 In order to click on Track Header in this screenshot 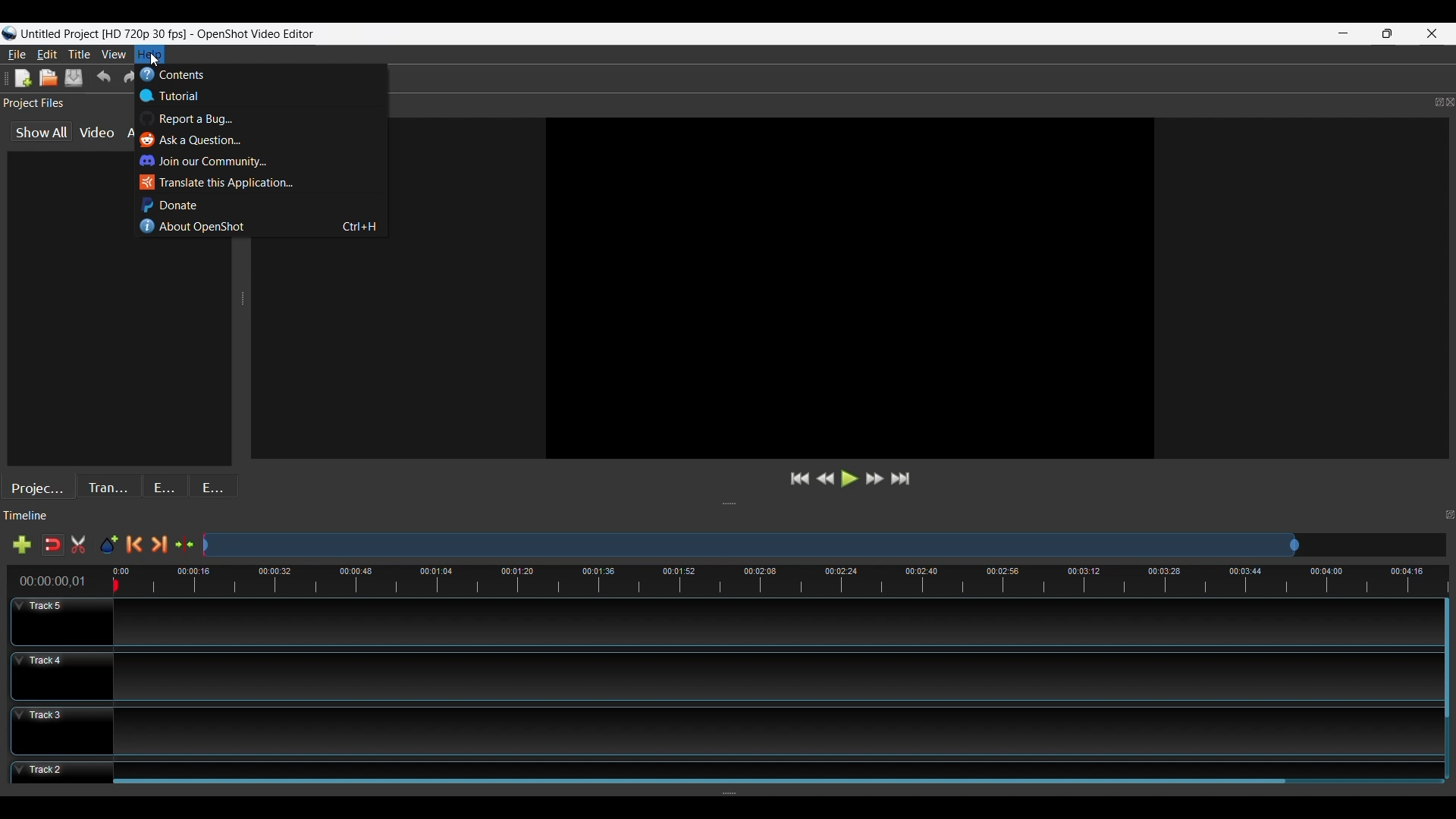, I will do `click(58, 771)`.